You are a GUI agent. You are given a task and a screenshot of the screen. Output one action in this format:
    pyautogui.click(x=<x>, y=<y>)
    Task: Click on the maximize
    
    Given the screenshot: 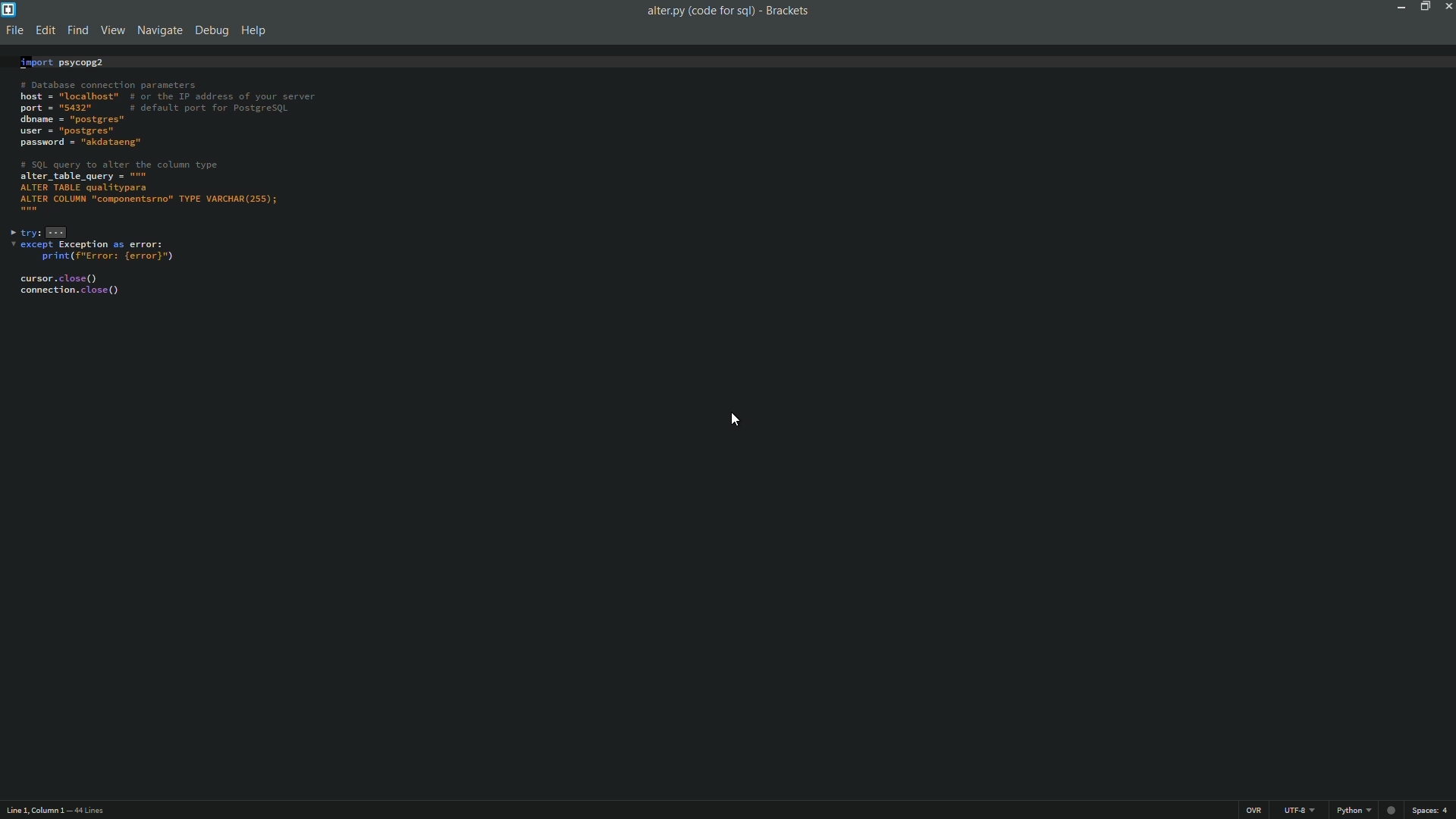 What is the action you would take?
    pyautogui.click(x=1423, y=7)
    